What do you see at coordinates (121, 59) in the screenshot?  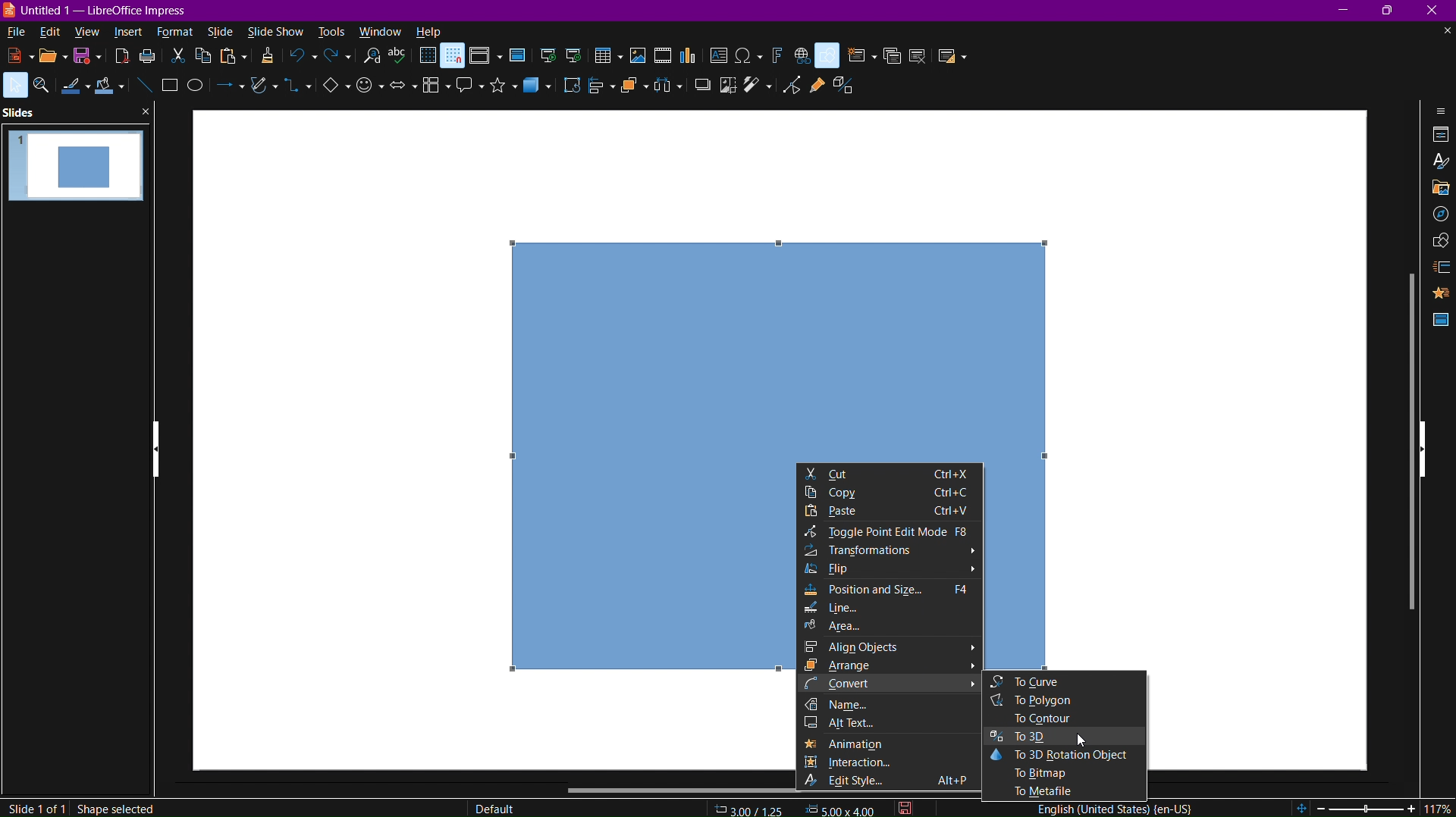 I see `export as pdf` at bounding box center [121, 59].